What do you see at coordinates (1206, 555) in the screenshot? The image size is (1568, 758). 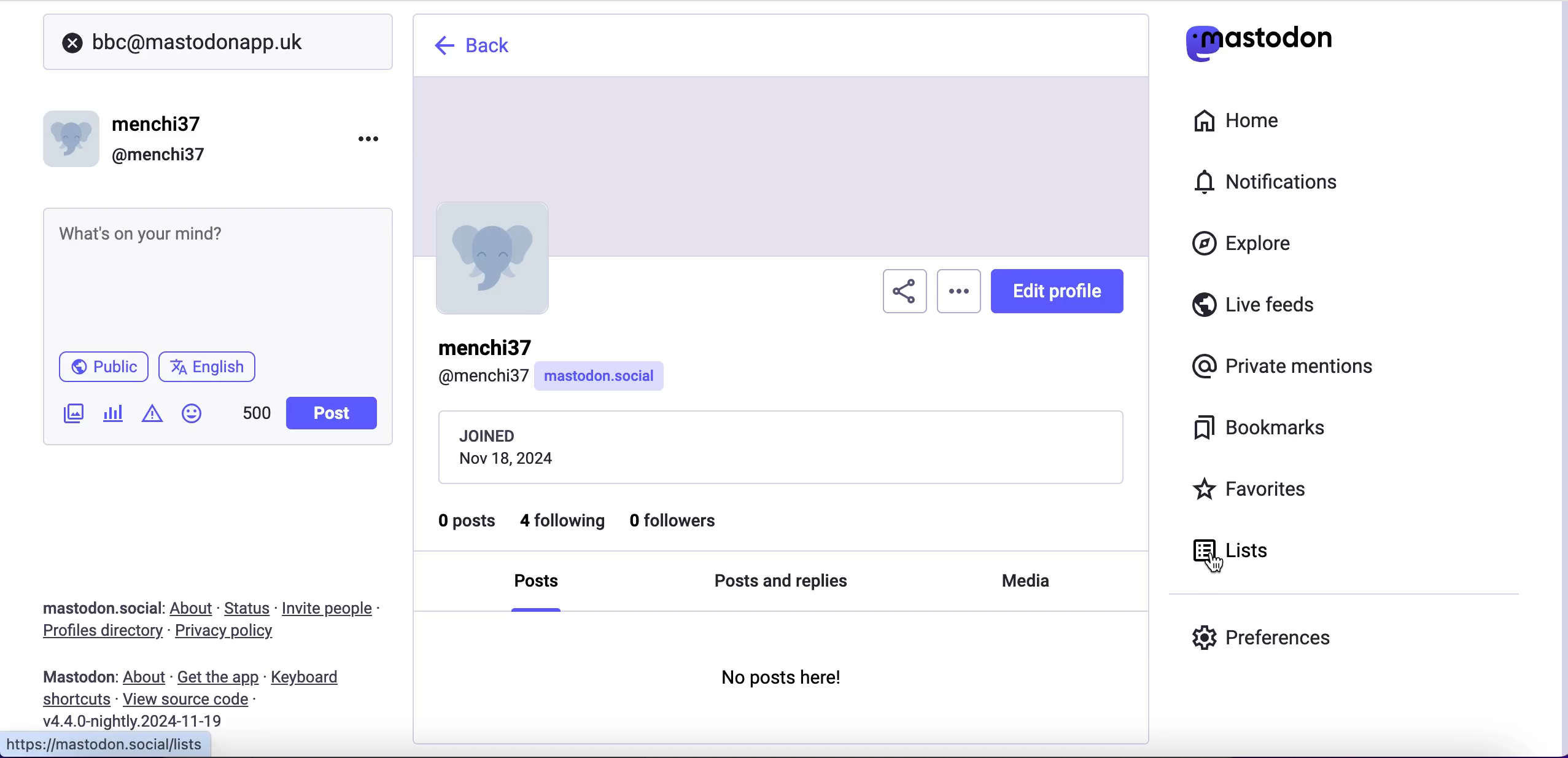 I see `cursor` at bounding box center [1206, 555].